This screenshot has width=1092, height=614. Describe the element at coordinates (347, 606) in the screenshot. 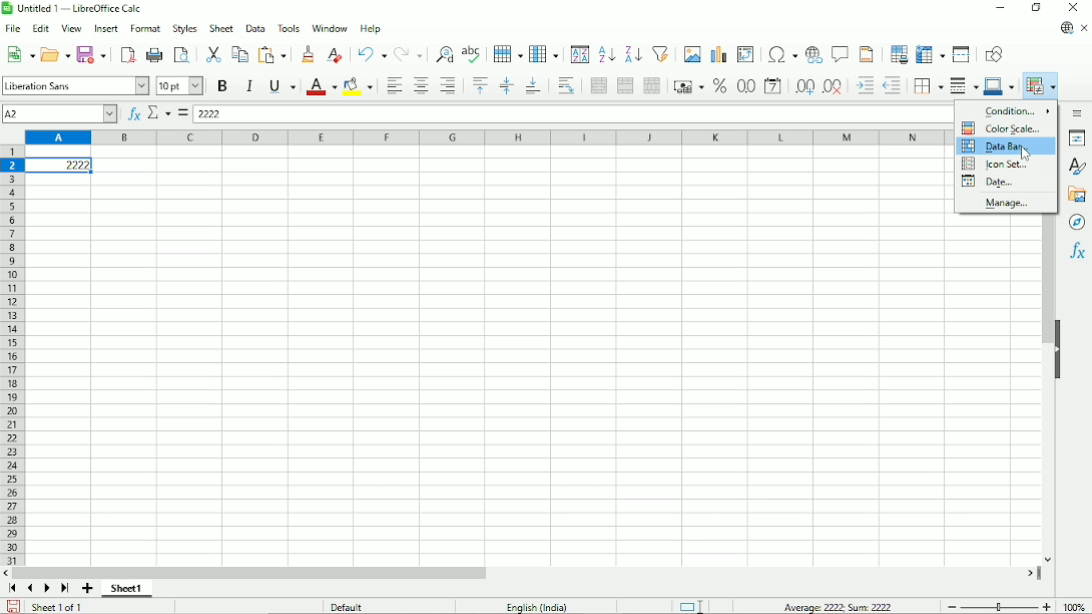

I see `Default` at that location.